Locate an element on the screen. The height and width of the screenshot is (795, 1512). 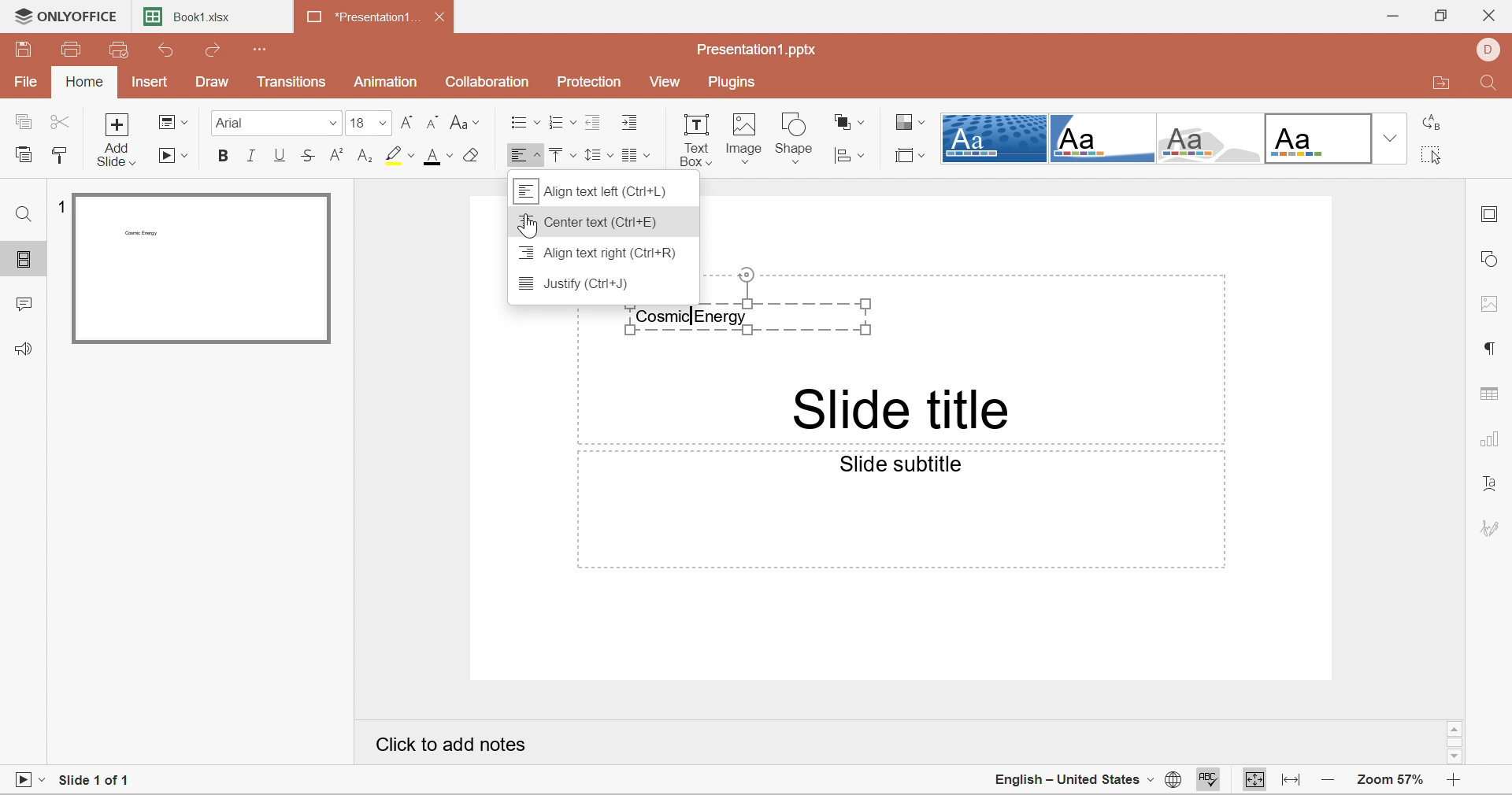
Fit to slide is located at coordinates (1251, 780).